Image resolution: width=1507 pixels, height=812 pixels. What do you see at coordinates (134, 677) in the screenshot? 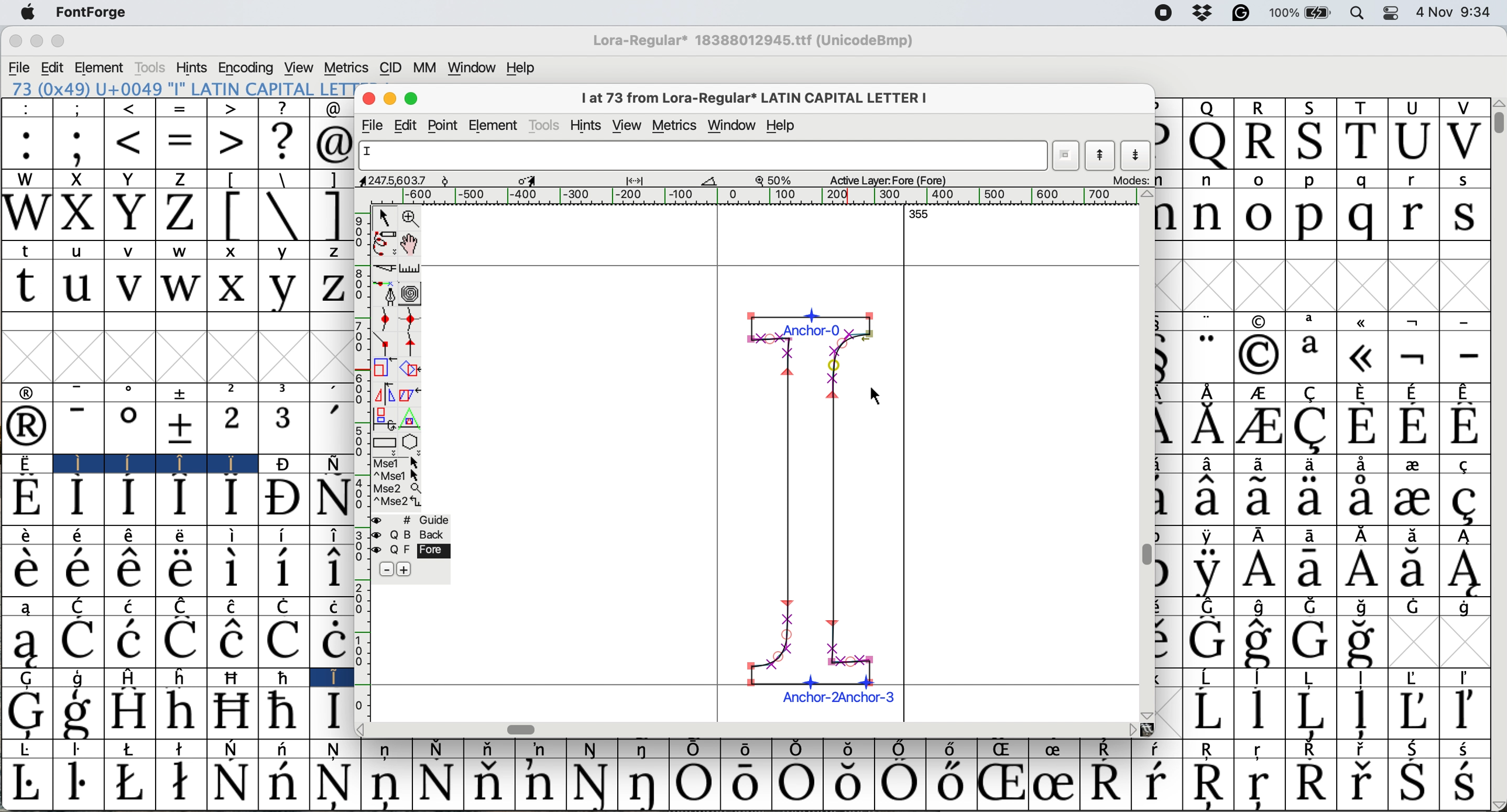
I see `H` at bounding box center [134, 677].